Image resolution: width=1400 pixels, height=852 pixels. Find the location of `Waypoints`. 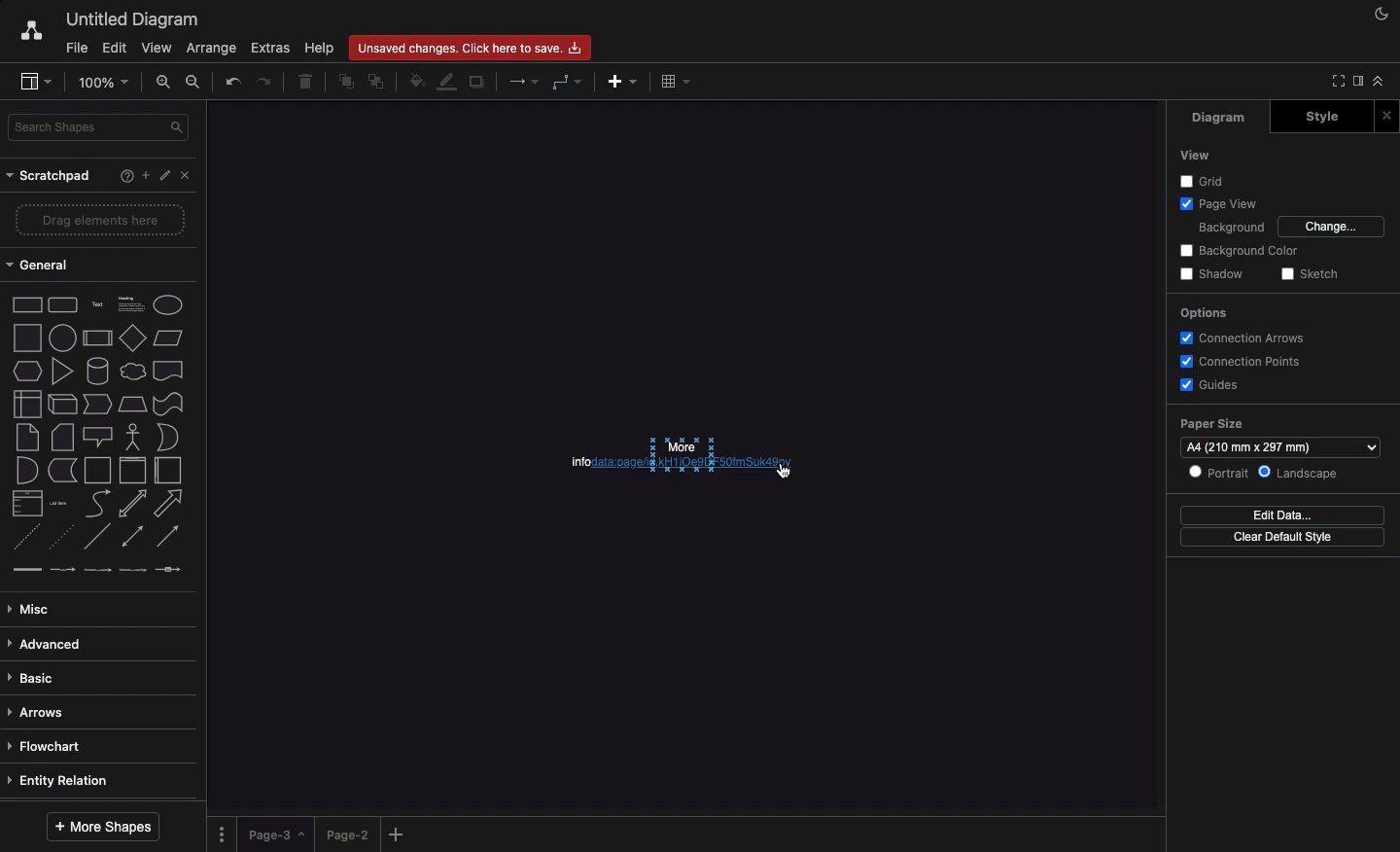

Waypoints is located at coordinates (564, 83).